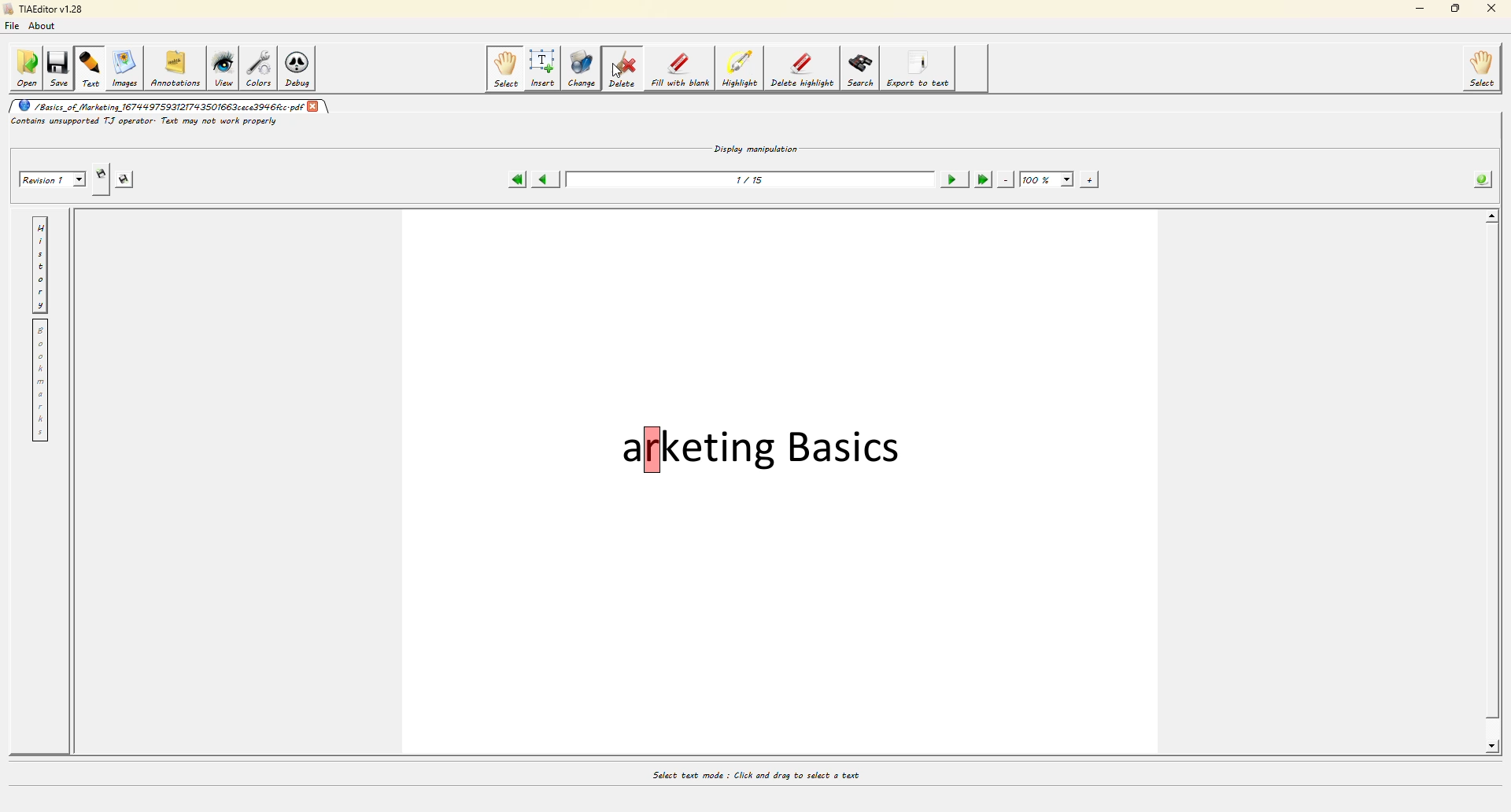  What do you see at coordinates (1491, 482) in the screenshot?
I see `scroll bar` at bounding box center [1491, 482].